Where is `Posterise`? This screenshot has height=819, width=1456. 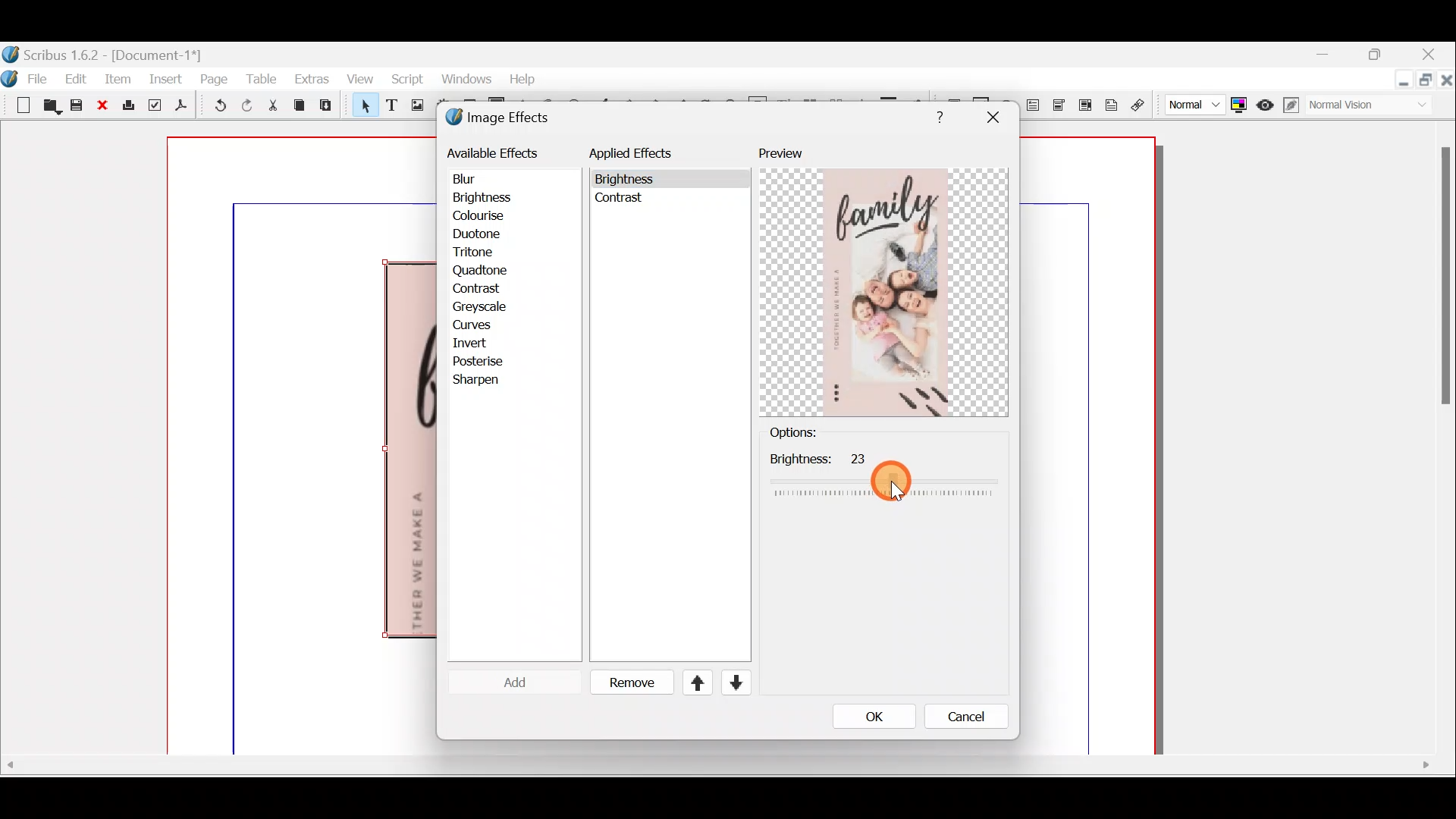 Posterise is located at coordinates (488, 361).